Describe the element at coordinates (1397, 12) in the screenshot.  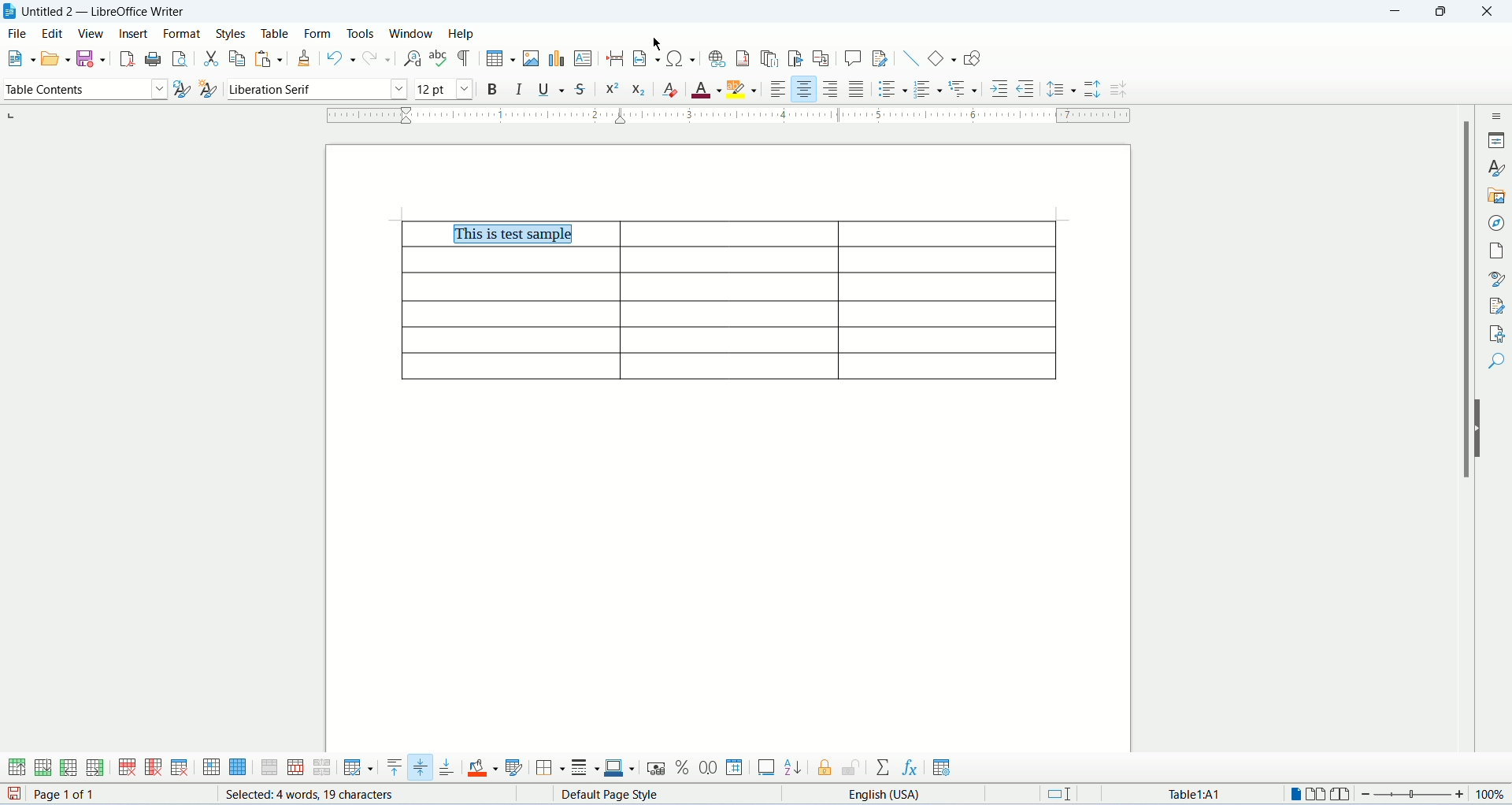
I see `minimize` at that location.